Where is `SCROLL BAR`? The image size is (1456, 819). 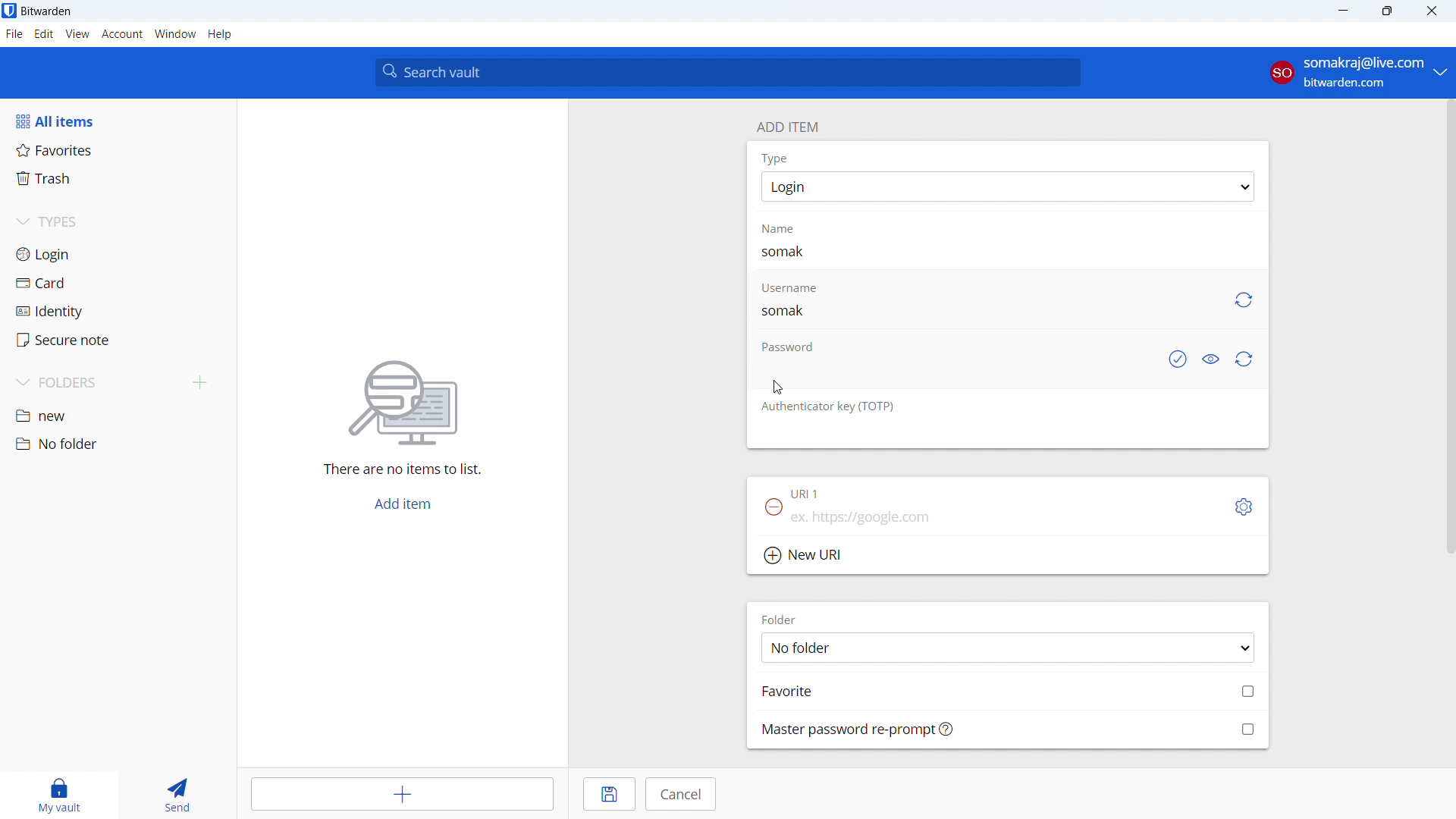 SCROLL BAR is located at coordinates (1447, 328).